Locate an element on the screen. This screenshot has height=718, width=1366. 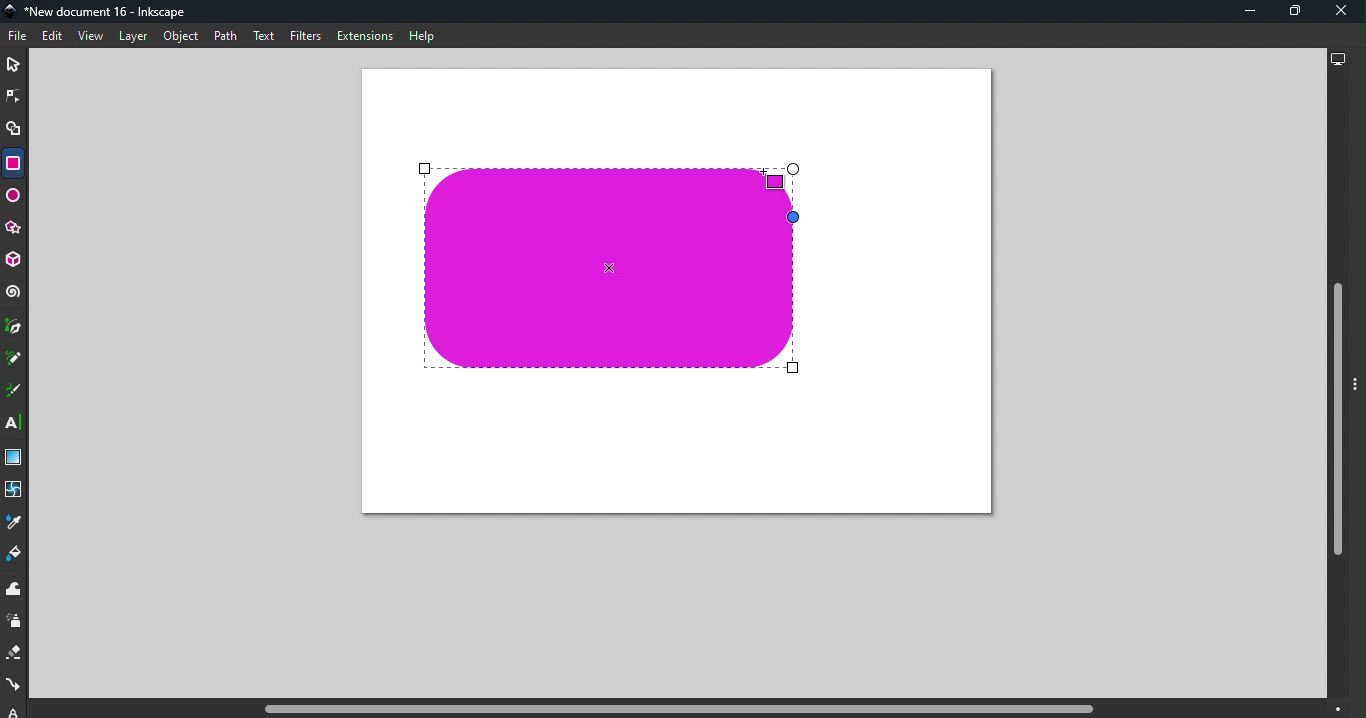
Rounded Rectangle is located at coordinates (609, 270).